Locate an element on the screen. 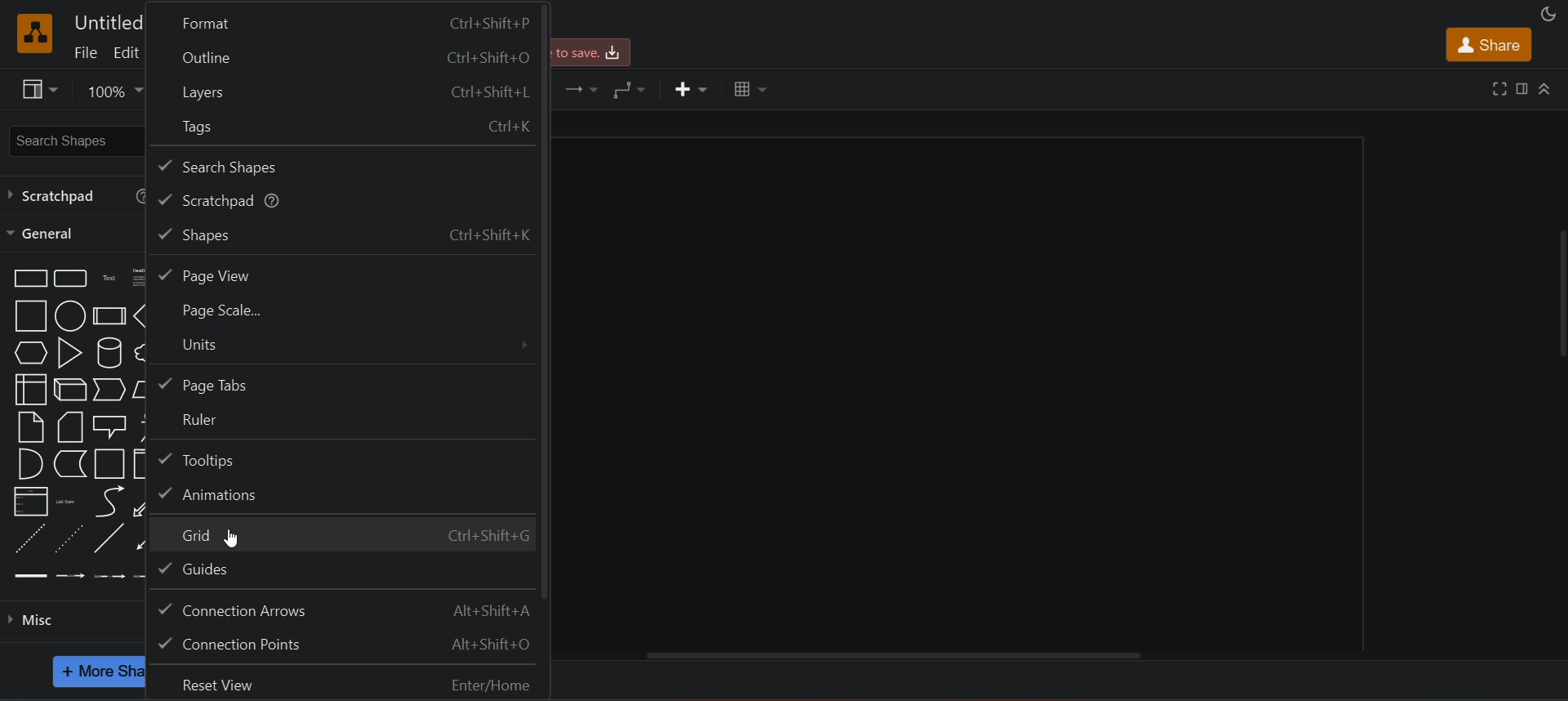 This screenshot has width=1568, height=701. cirsle is located at coordinates (69, 315).